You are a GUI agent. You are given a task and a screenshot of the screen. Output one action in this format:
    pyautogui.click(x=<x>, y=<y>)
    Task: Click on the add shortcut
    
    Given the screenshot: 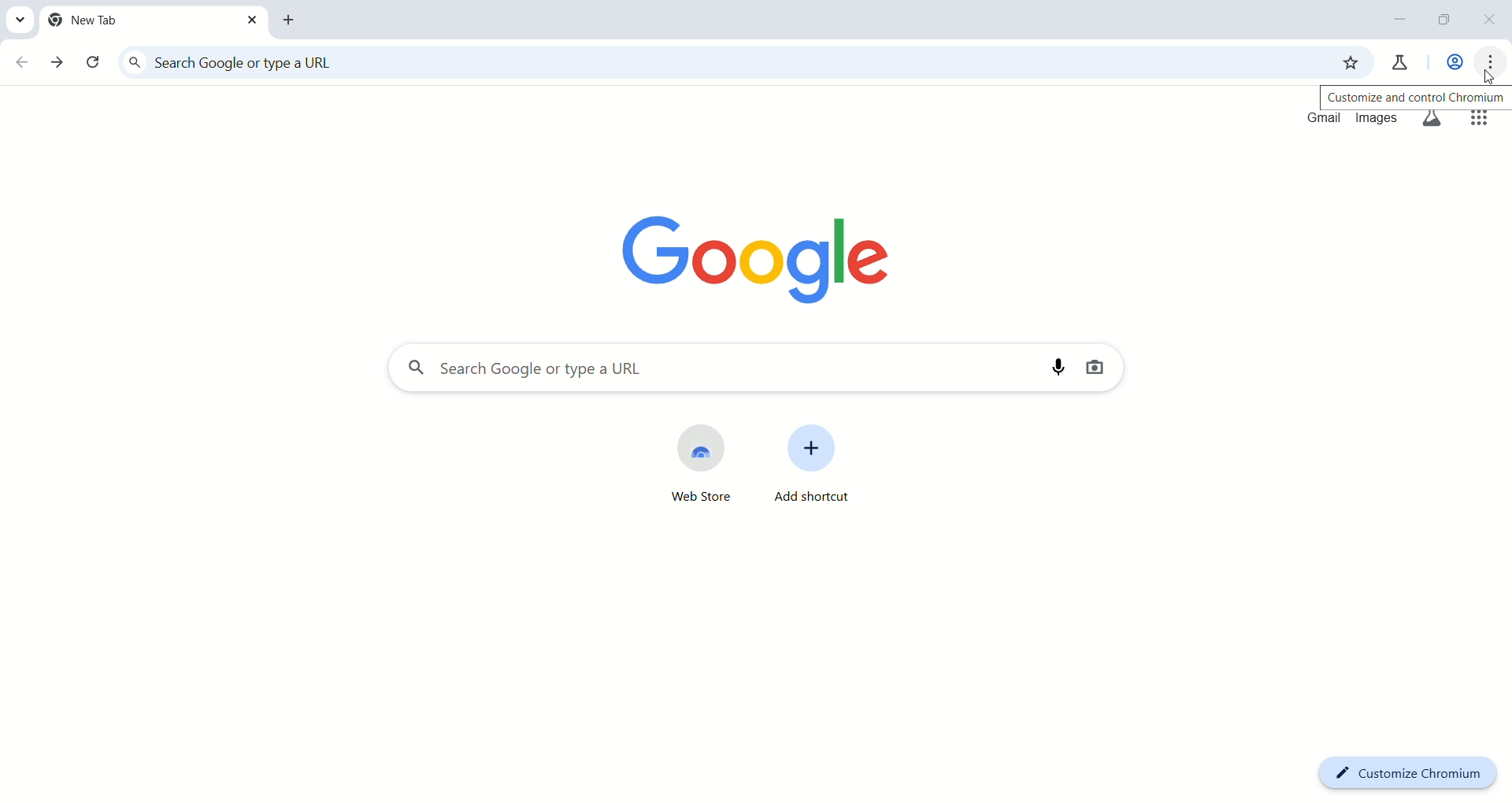 What is the action you would take?
    pyautogui.click(x=814, y=471)
    